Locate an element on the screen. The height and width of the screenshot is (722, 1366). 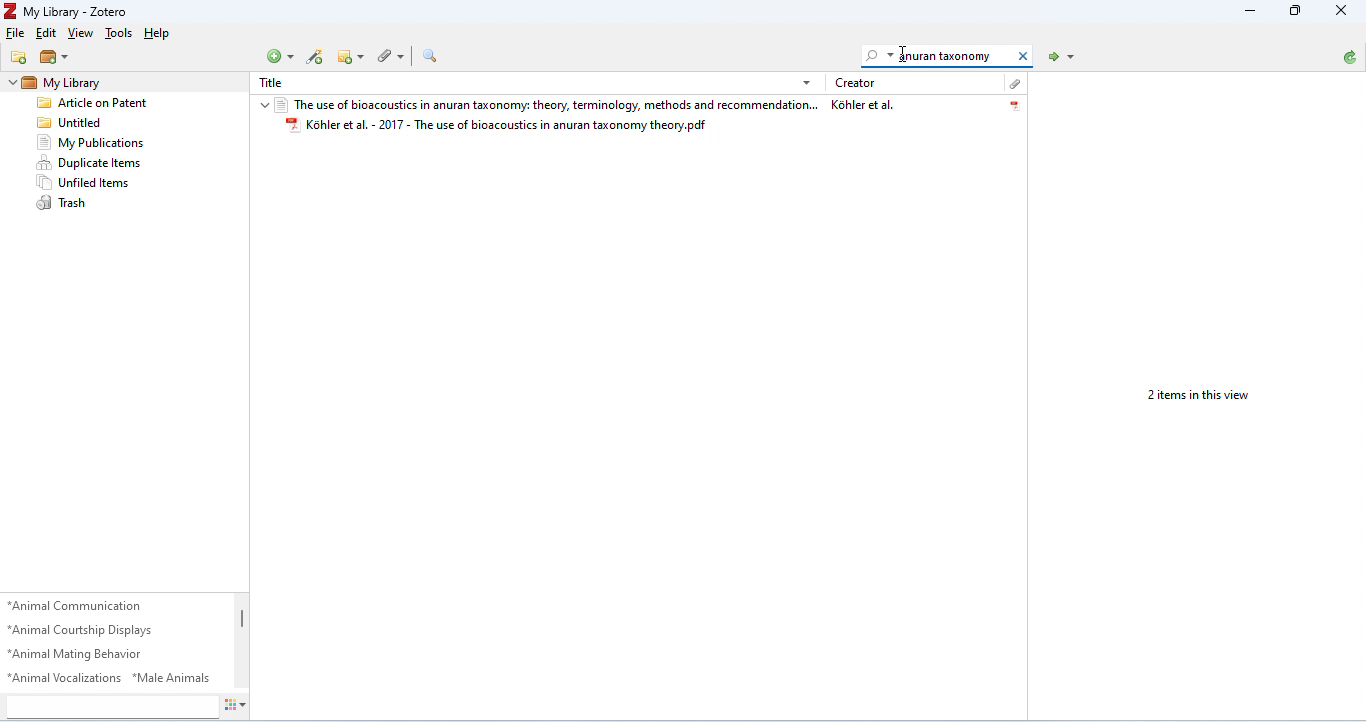
Cursor Position is located at coordinates (902, 55).